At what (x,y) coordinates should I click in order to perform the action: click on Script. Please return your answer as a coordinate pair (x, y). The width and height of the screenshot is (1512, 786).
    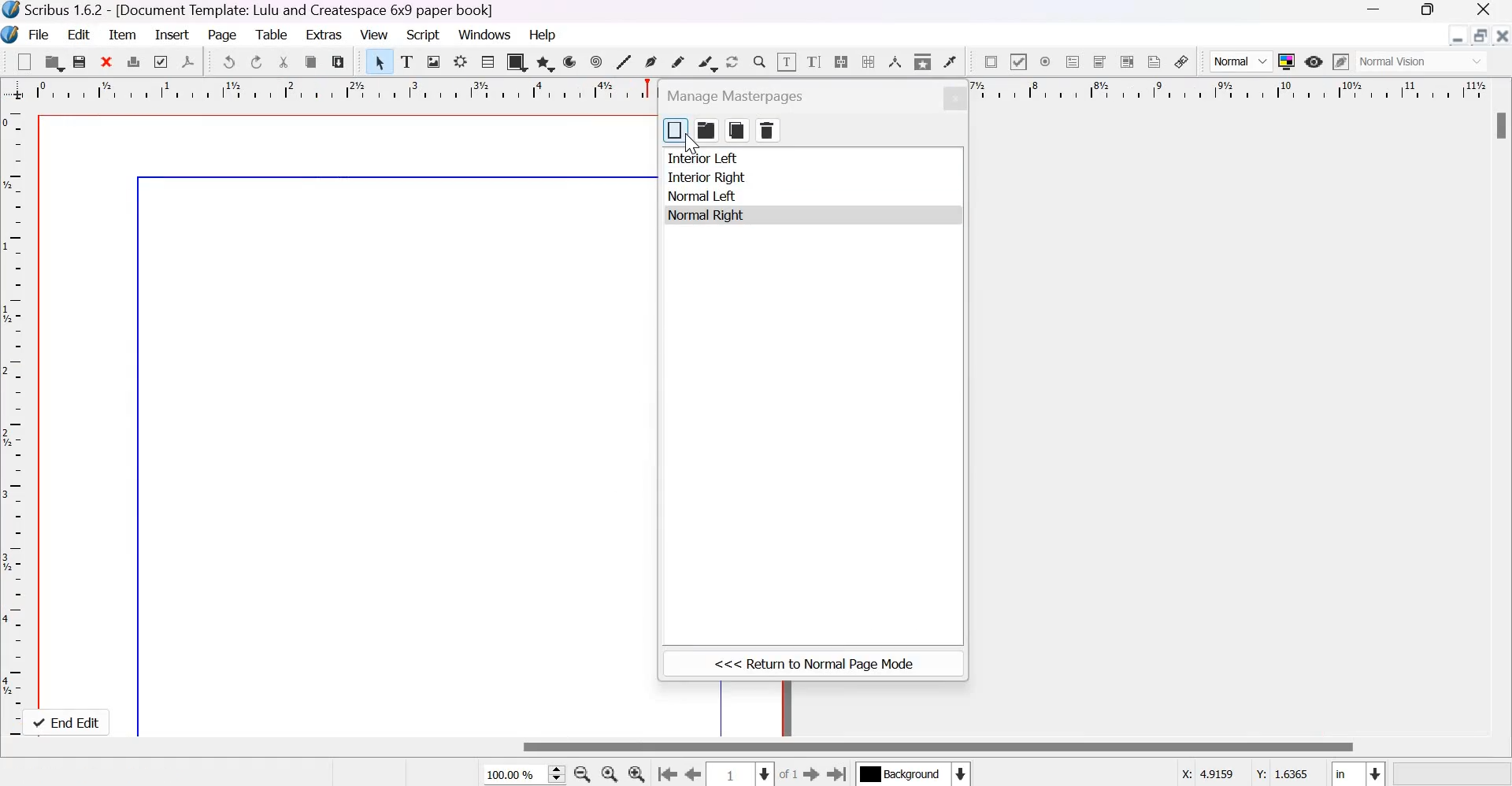
    Looking at the image, I should click on (423, 34).